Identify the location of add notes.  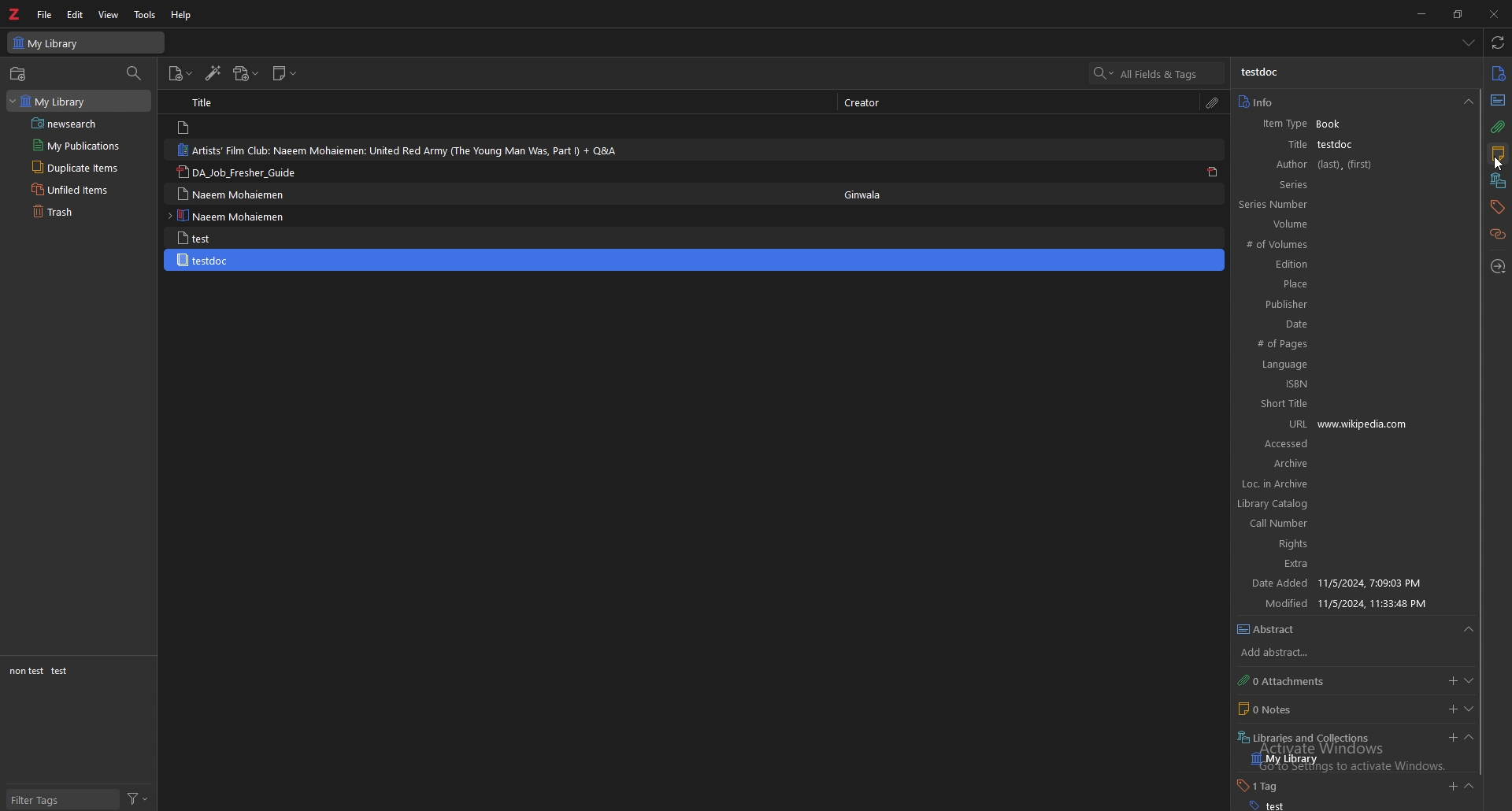
(1448, 709).